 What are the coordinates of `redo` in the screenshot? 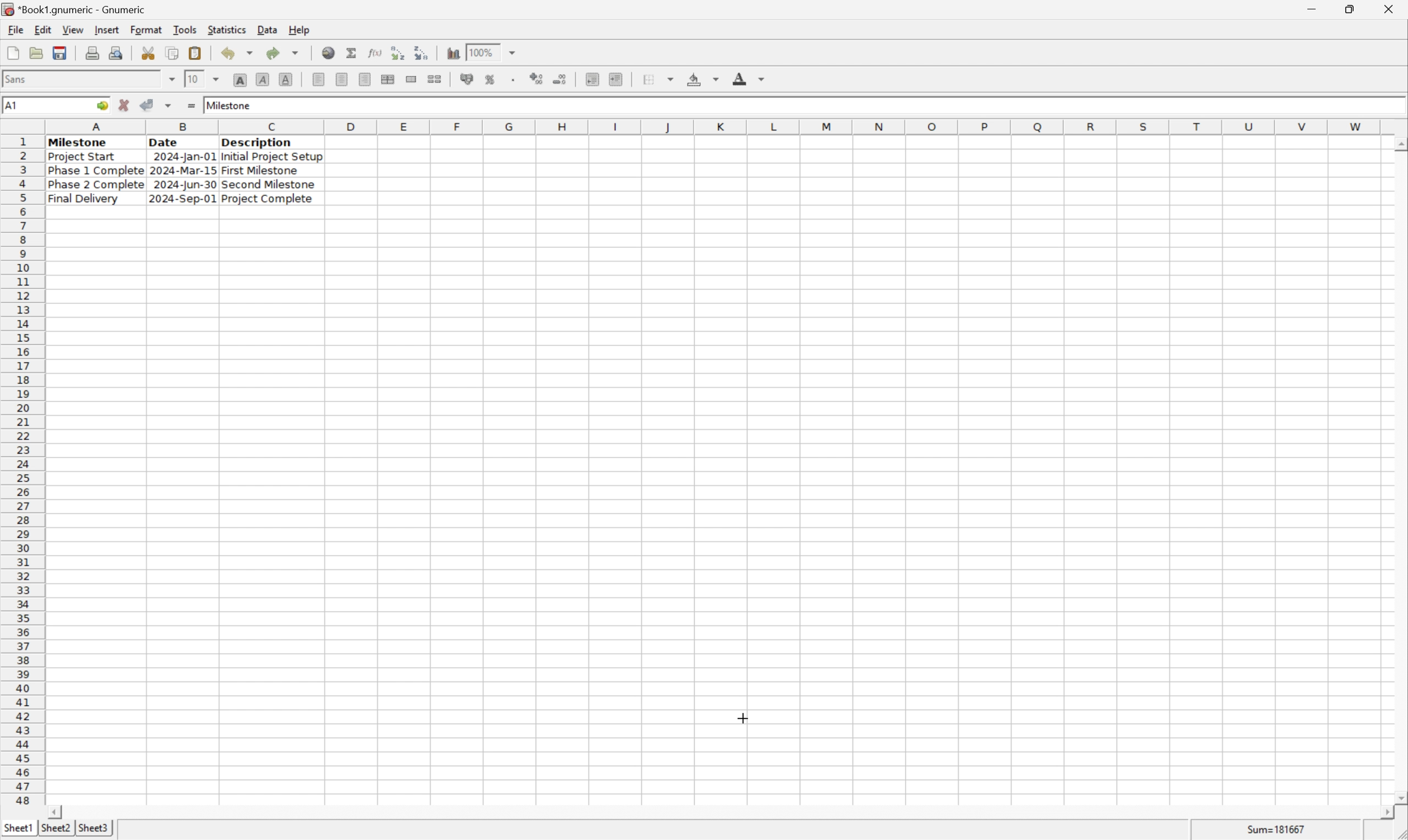 It's located at (285, 52).